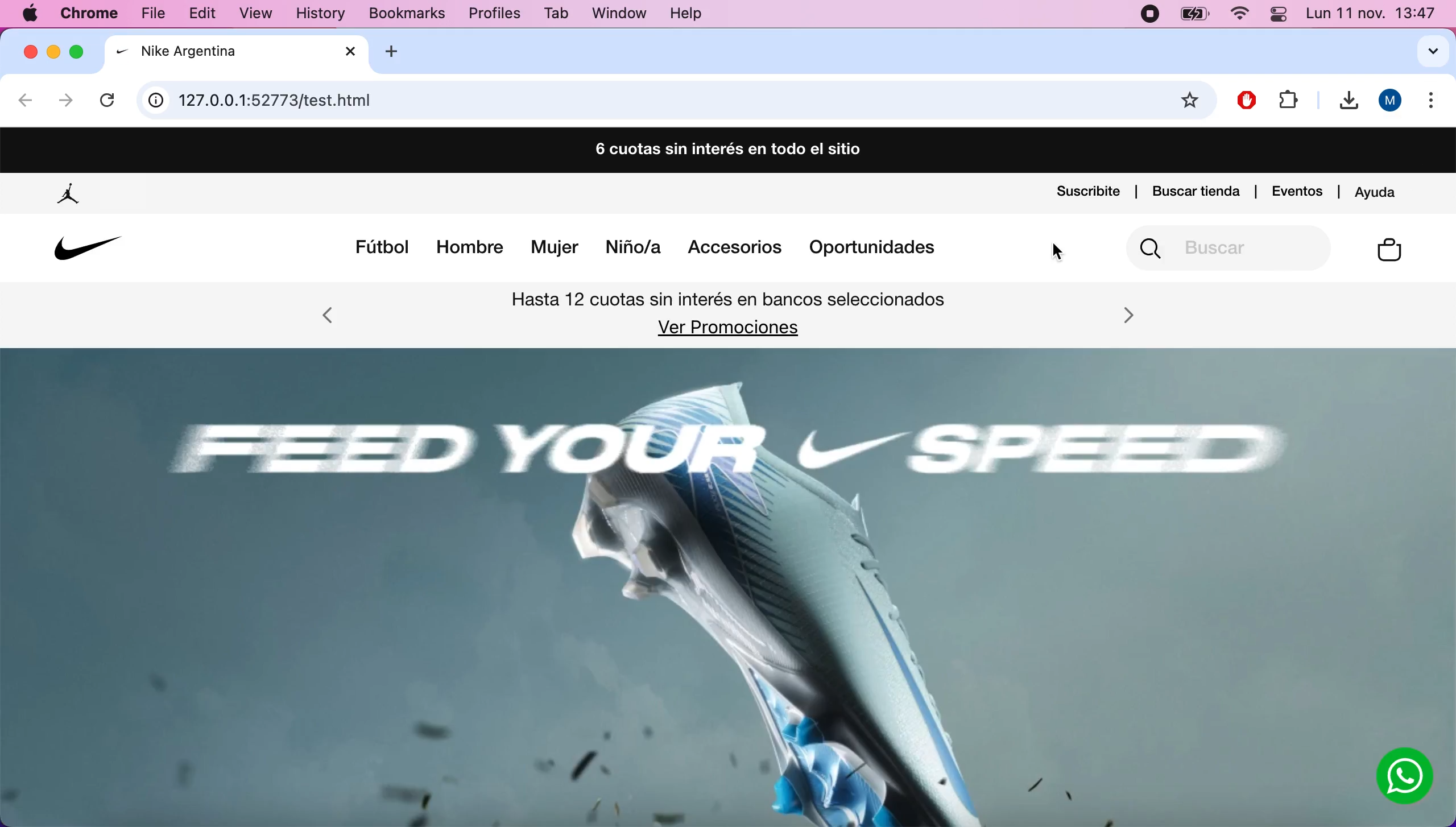  What do you see at coordinates (84, 249) in the screenshot?
I see `Nike Logo` at bounding box center [84, 249].